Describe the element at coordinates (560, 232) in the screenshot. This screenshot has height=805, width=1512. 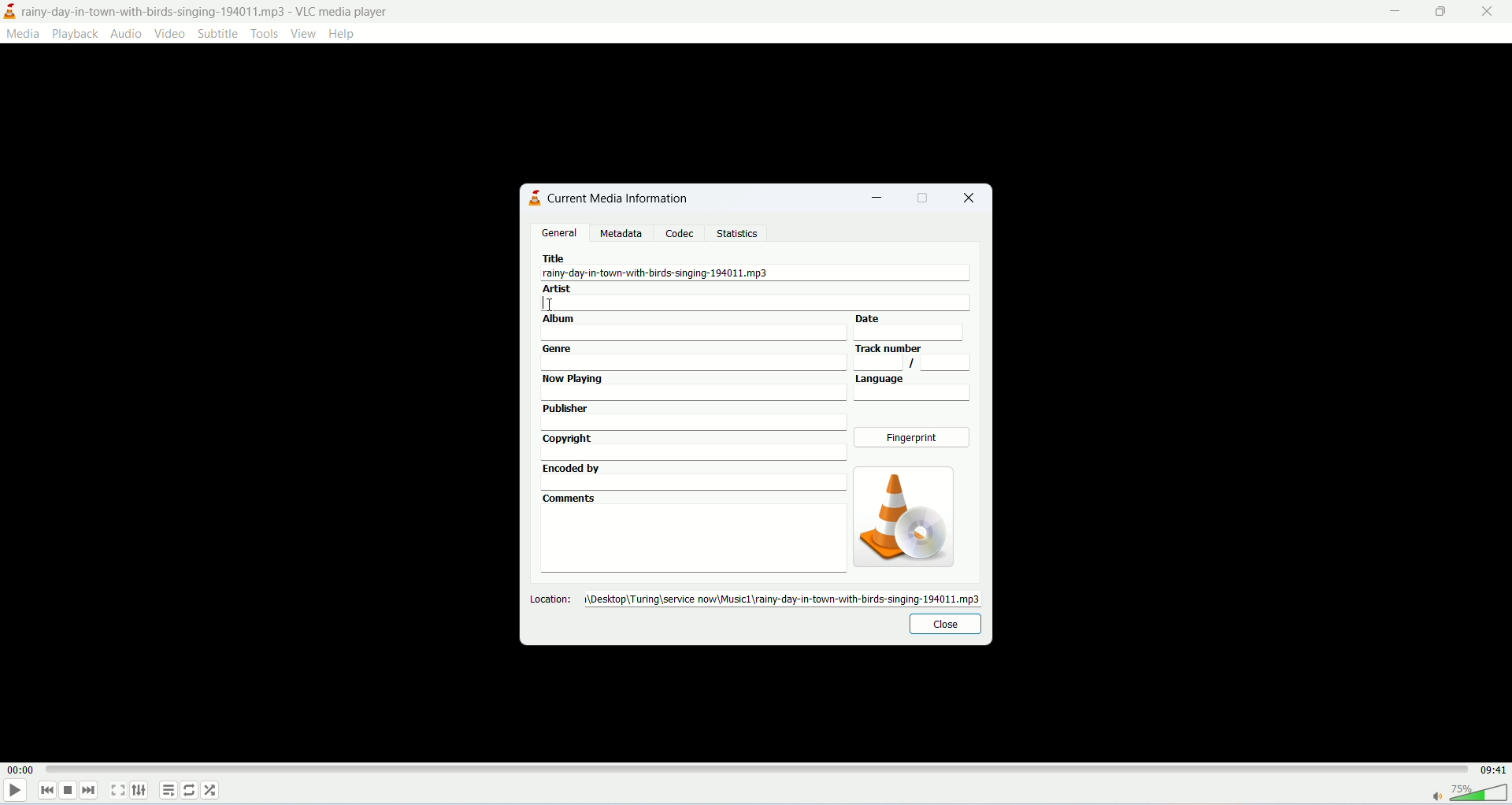
I see `general` at that location.